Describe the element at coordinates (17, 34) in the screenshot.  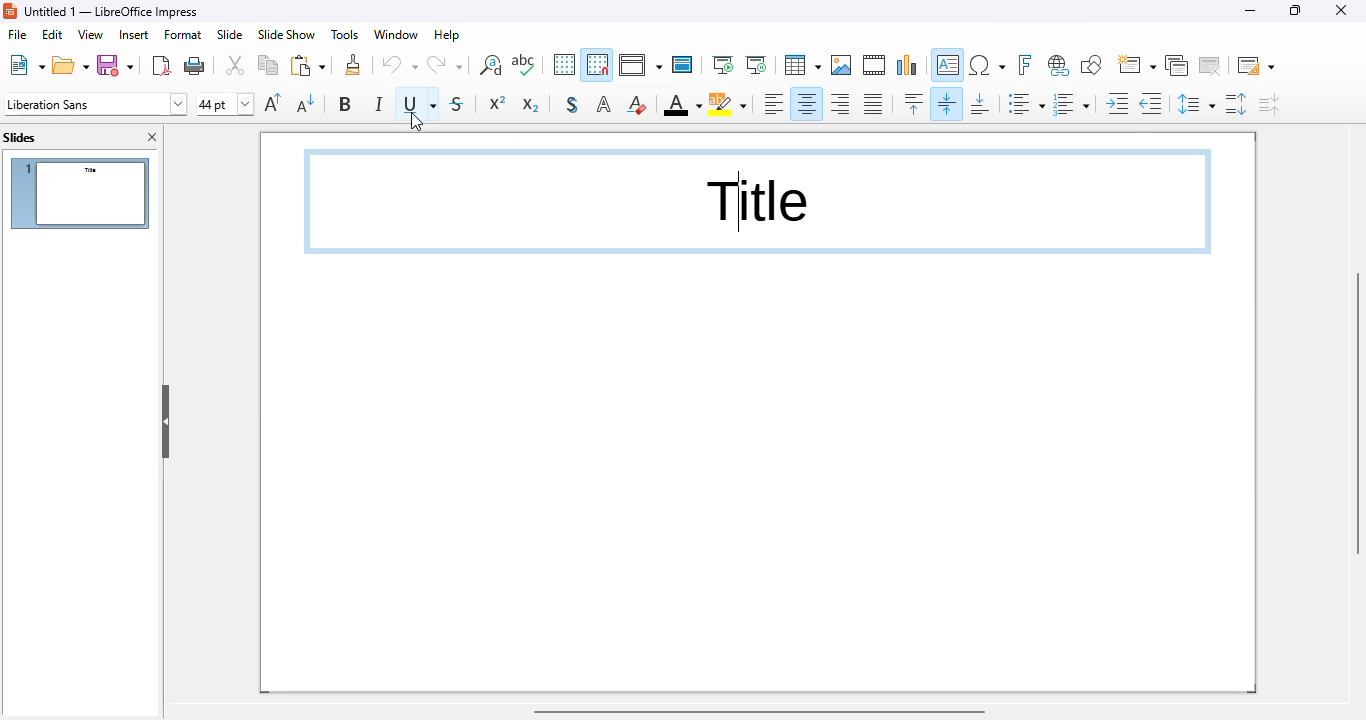
I see `file` at that location.